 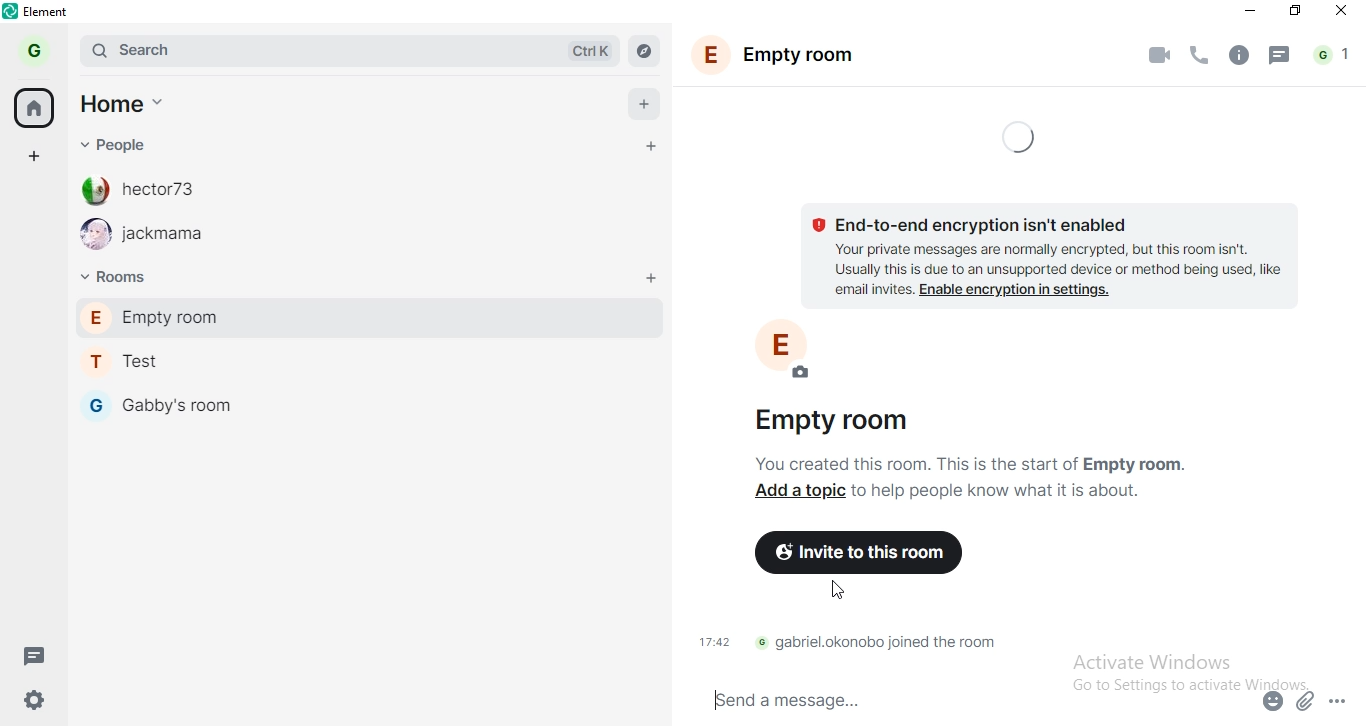 I want to click on options, so click(x=1340, y=701).